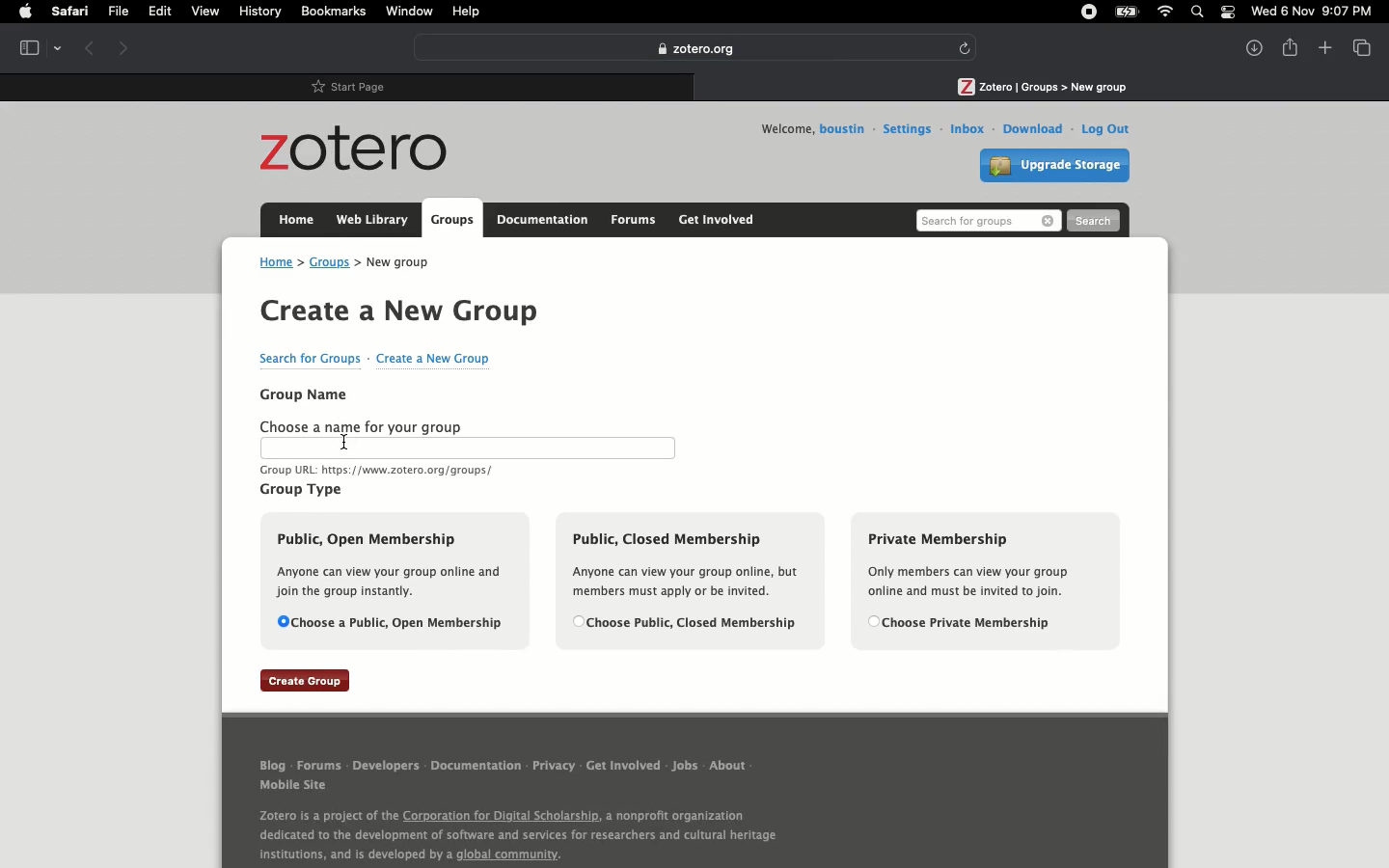 The image size is (1389, 868). Describe the element at coordinates (450, 220) in the screenshot. I see `Groups` at that location.